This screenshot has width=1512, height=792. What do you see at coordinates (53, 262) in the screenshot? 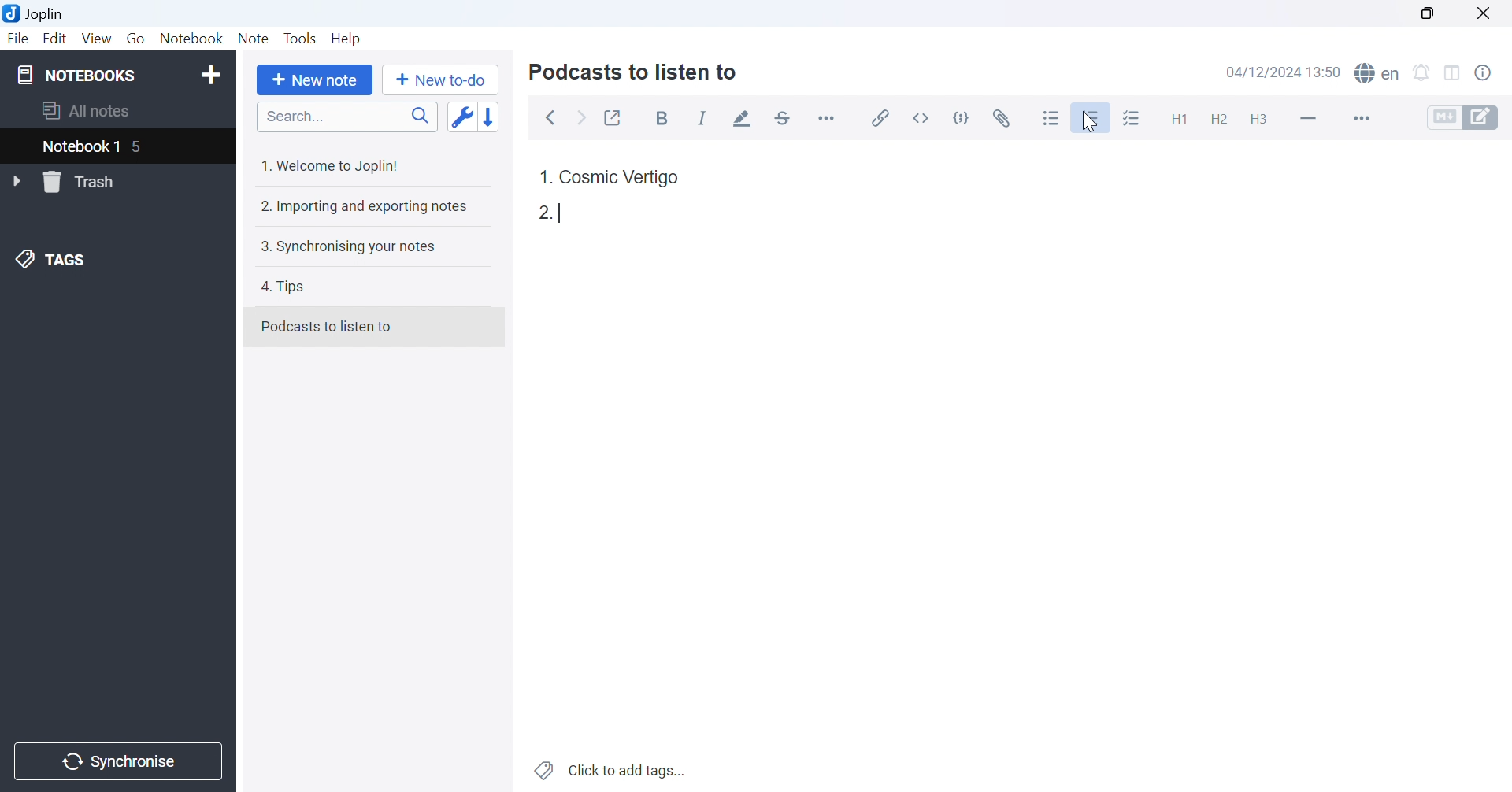
I see `TAGS` at bounding box center [53, 262].